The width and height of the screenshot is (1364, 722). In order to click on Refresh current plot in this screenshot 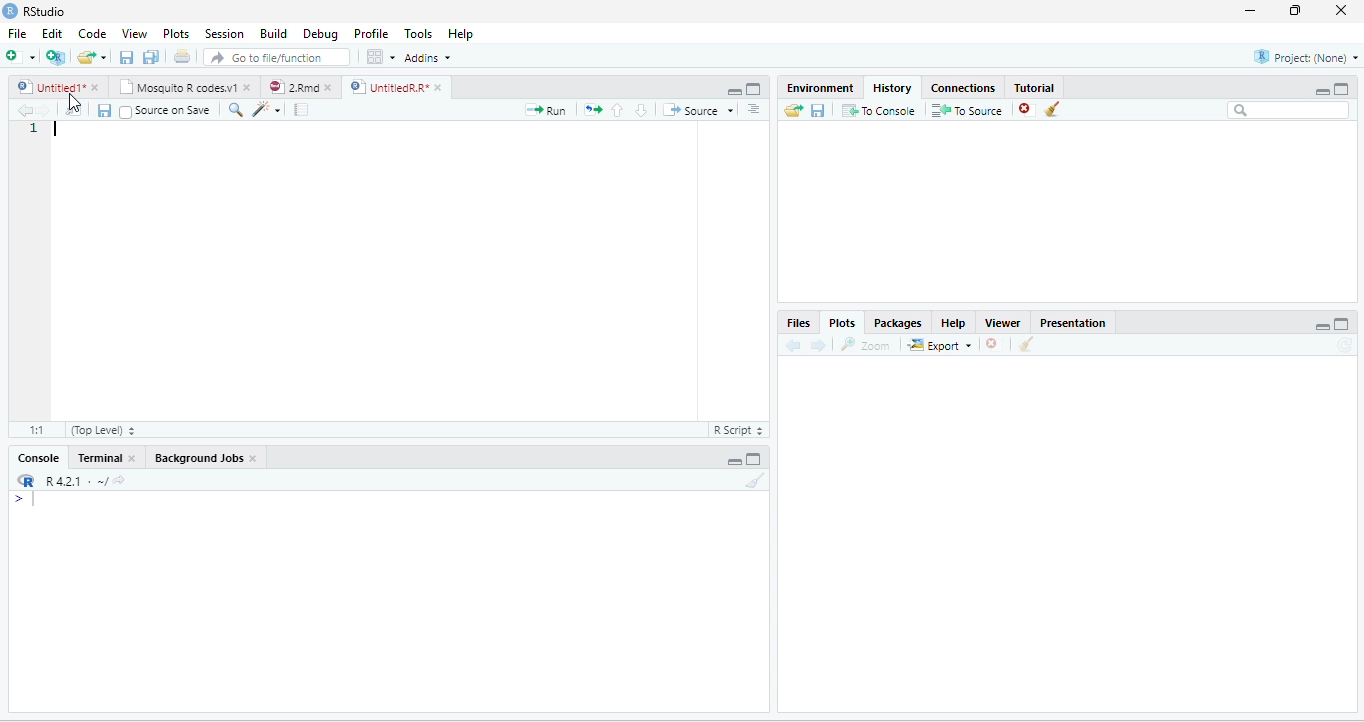, I will do `click(1344, 344)`.